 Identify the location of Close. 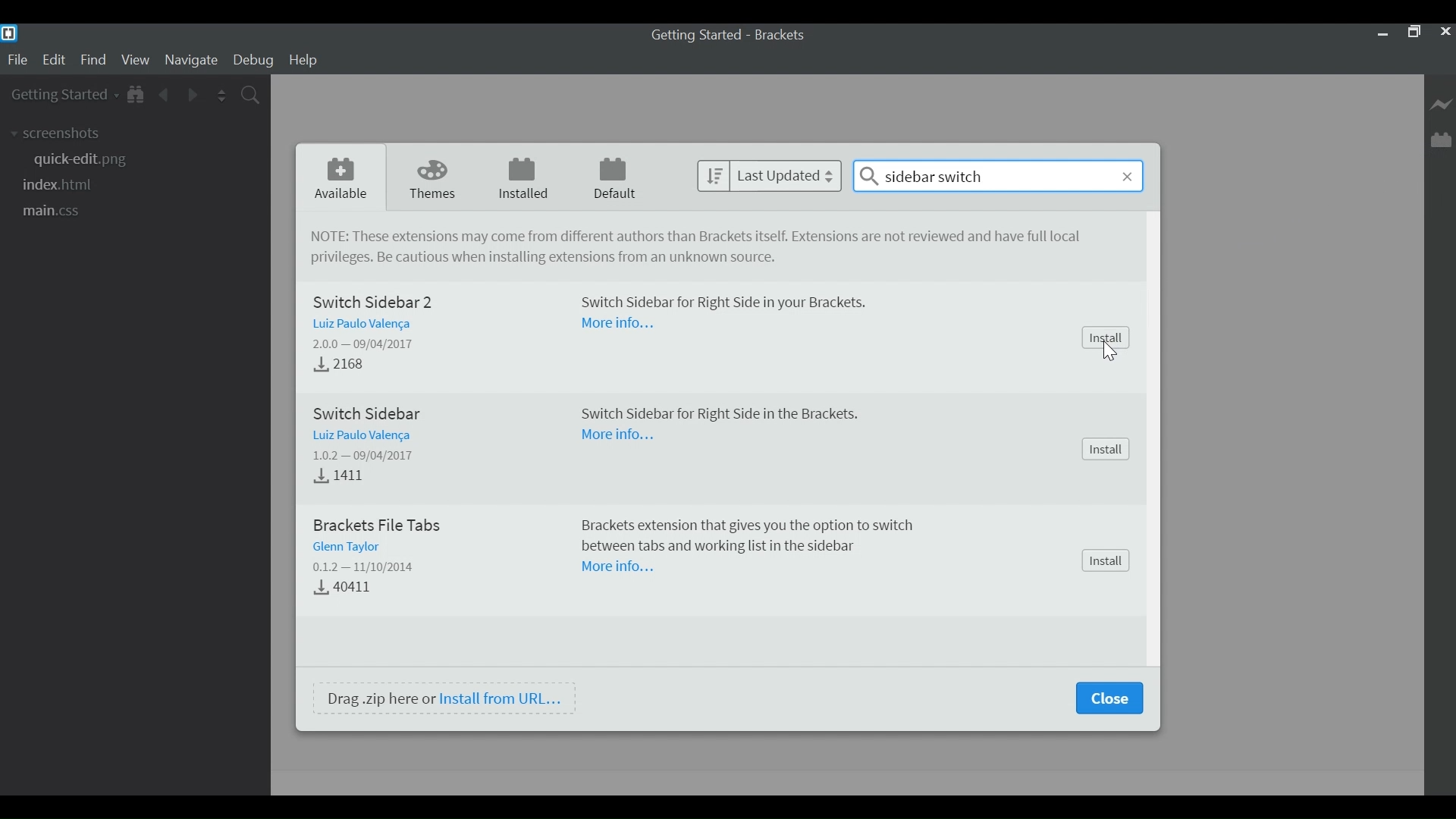
(1108, 698).